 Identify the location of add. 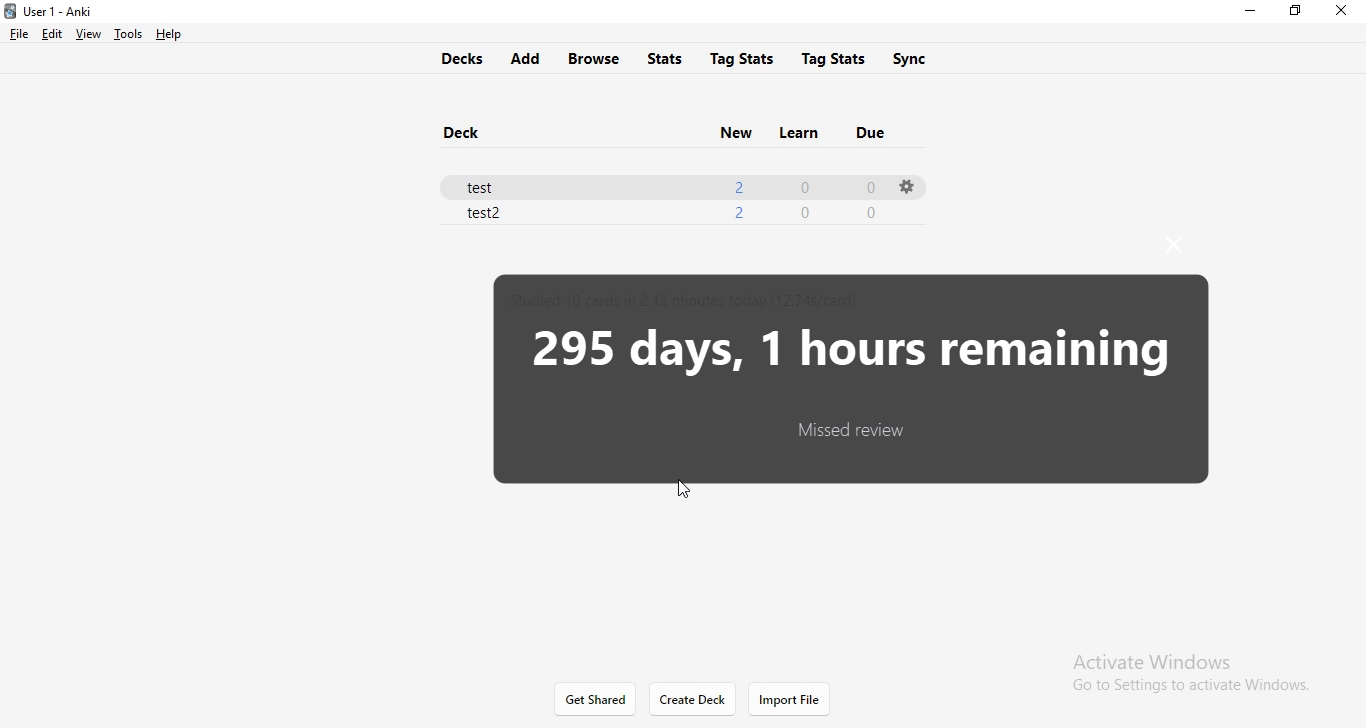
(524, 59).